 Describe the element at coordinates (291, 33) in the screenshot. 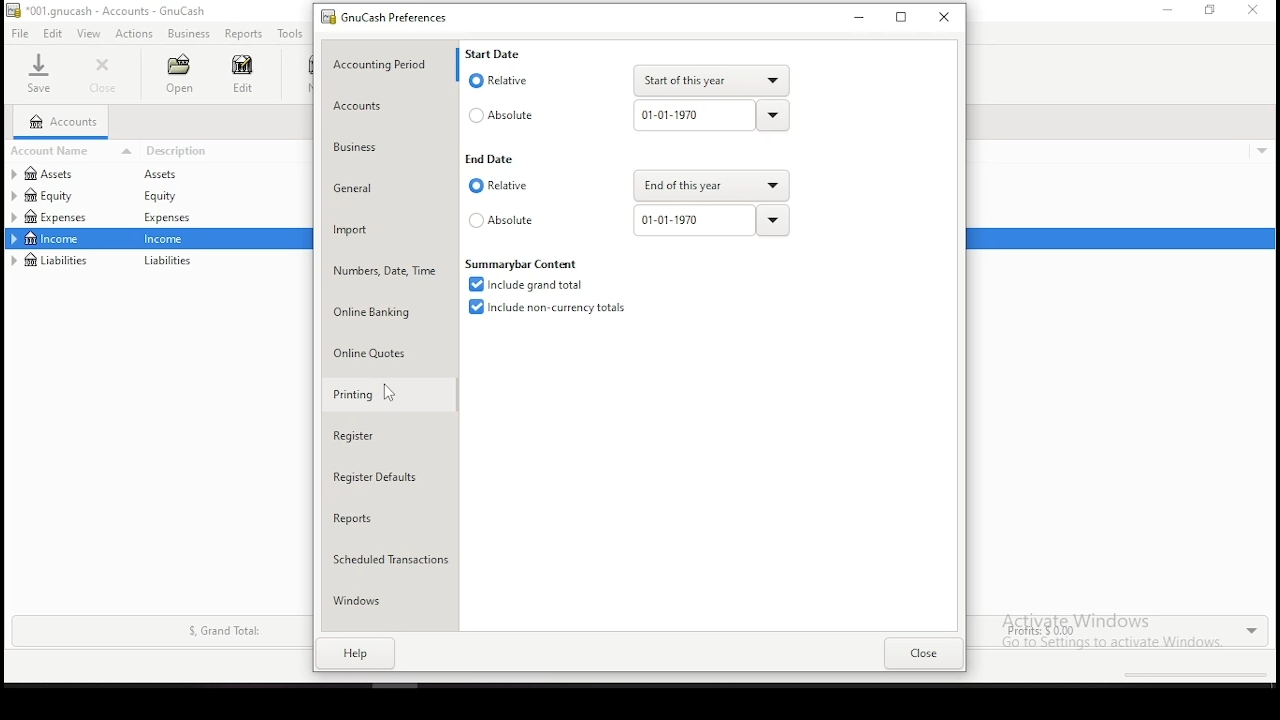

I see `tools` at that location.